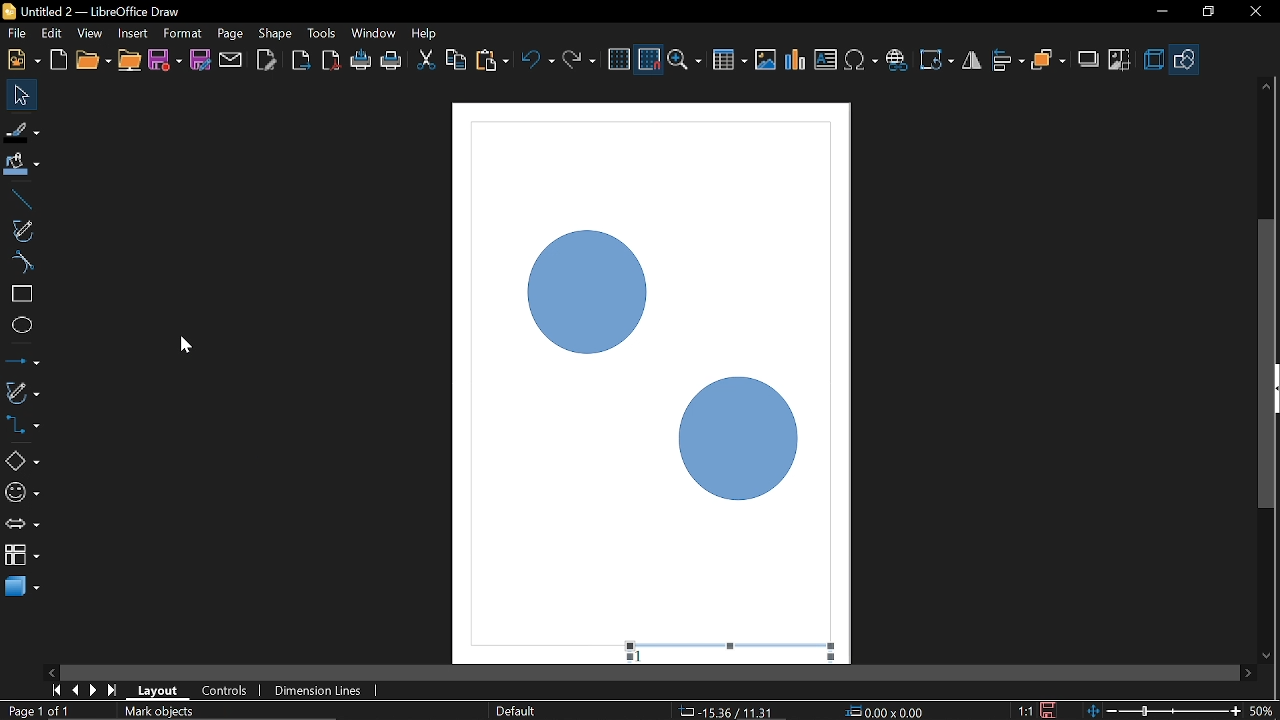 The height and width of the screenshot is (720, 1280). What do you see at coordinates (973, 62) in the screenshot?
I see `flip` at bounding box center [973, 62].